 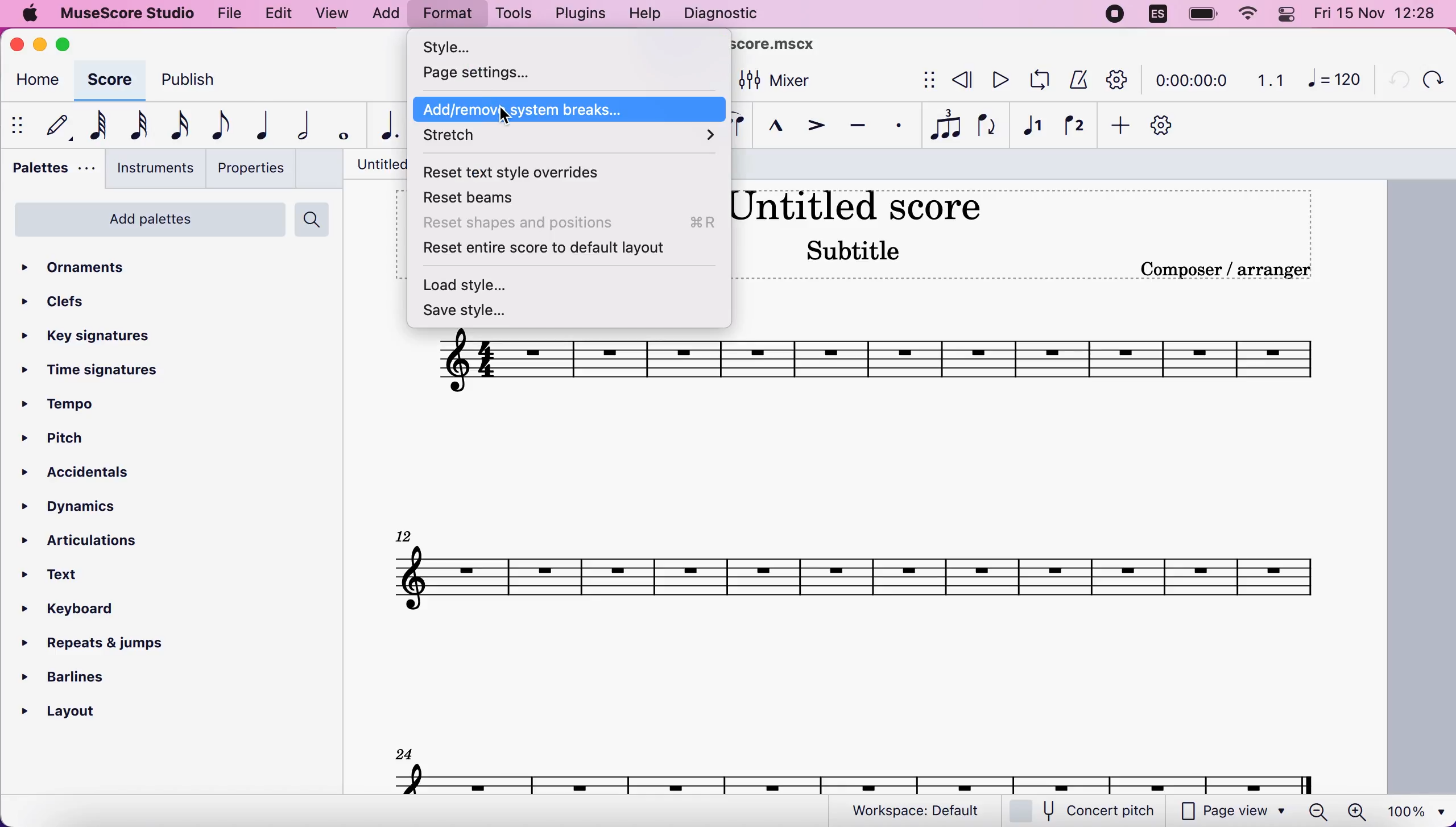 I want to click on title, so click(x=734, y=46).